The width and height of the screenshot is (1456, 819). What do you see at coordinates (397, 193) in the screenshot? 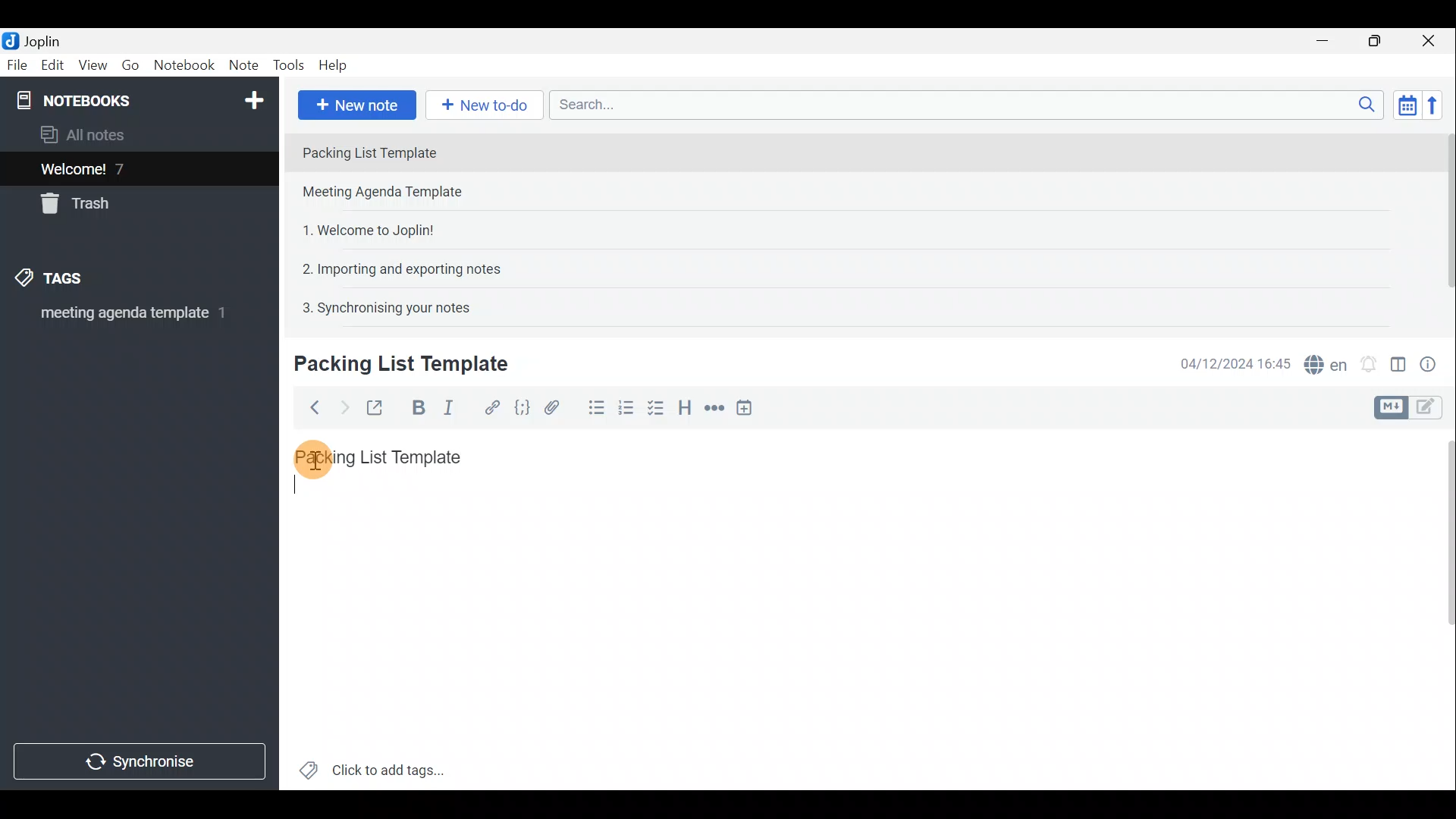
I see `Note 2` at bounding box center [397, 193].